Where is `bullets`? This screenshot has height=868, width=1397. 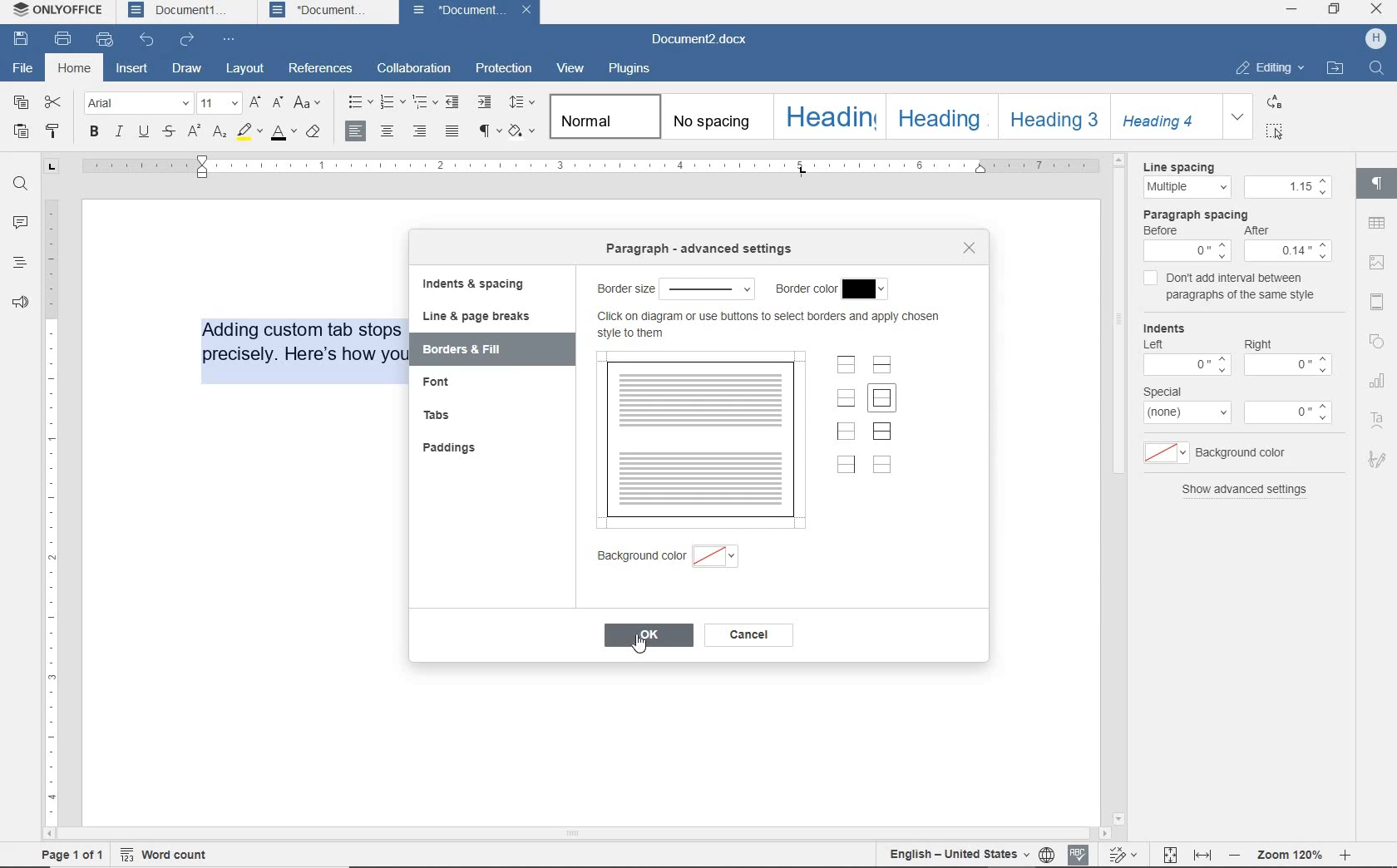
bullets is located at coordinates (358, 101).